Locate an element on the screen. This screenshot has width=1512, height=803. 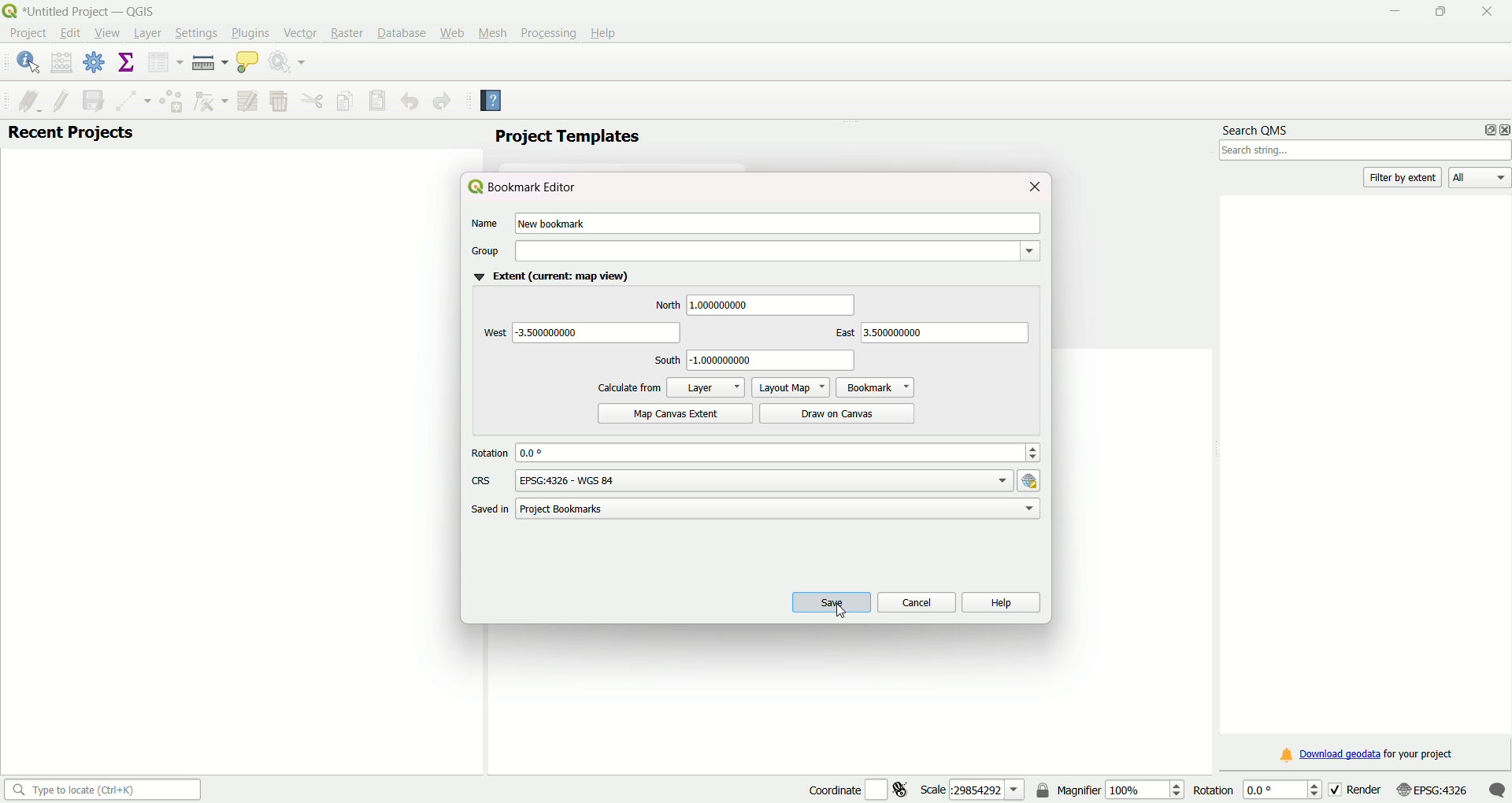
text box is located at coordinates (774, 361).